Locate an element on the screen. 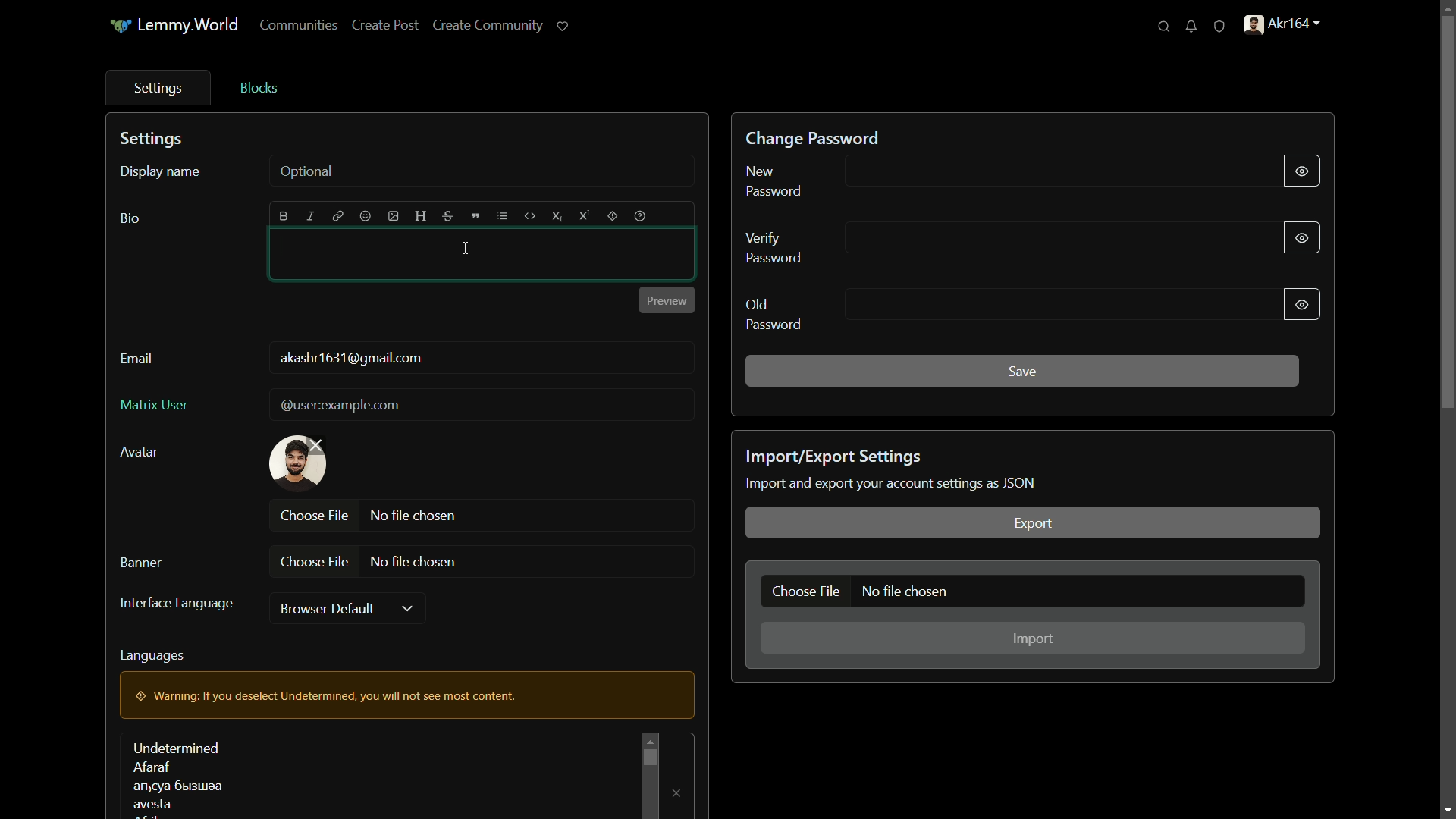  display name is located at coordinates (161, 173).